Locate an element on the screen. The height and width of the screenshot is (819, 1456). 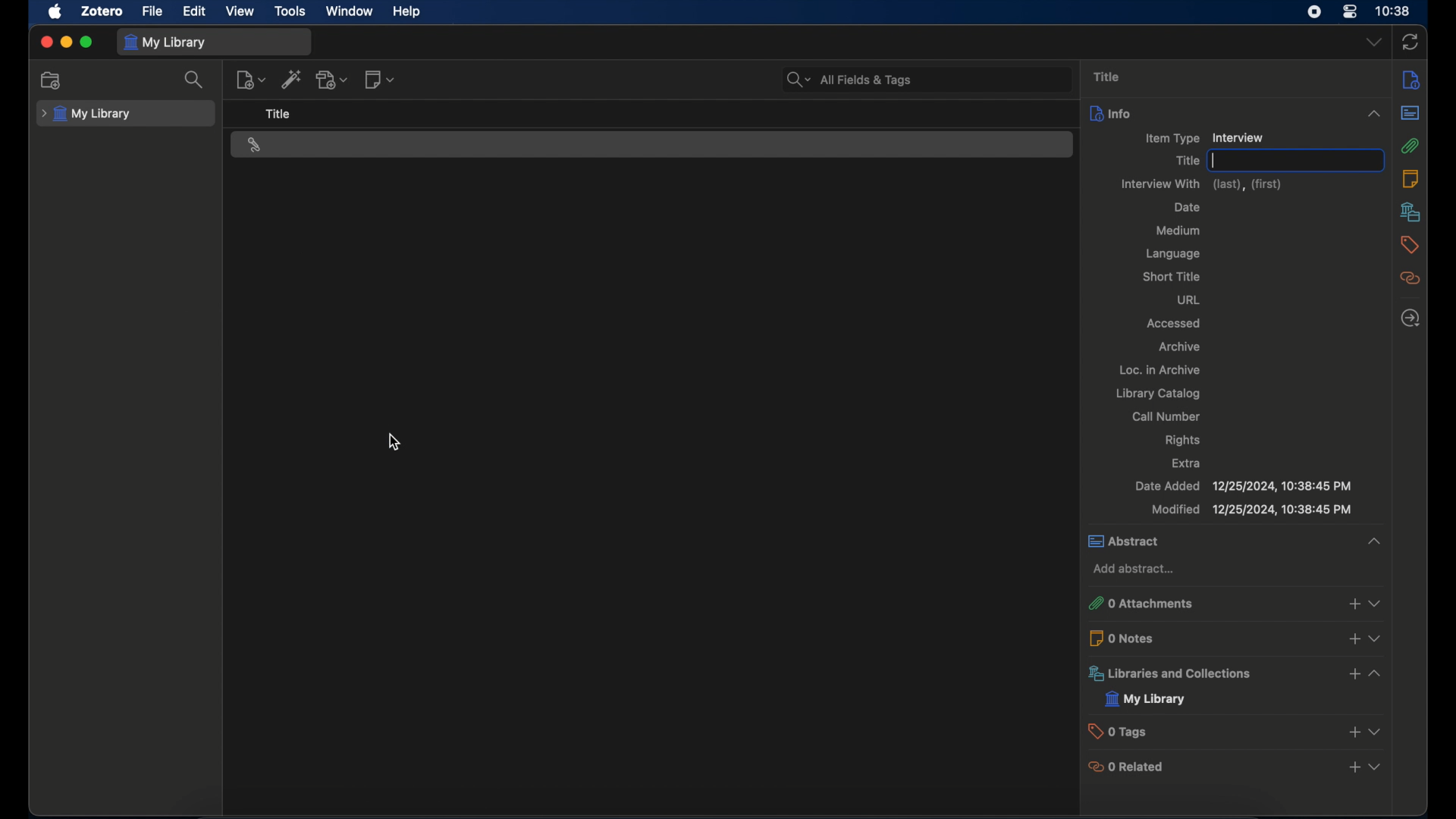
item type is located at coordinates (1171, 139).